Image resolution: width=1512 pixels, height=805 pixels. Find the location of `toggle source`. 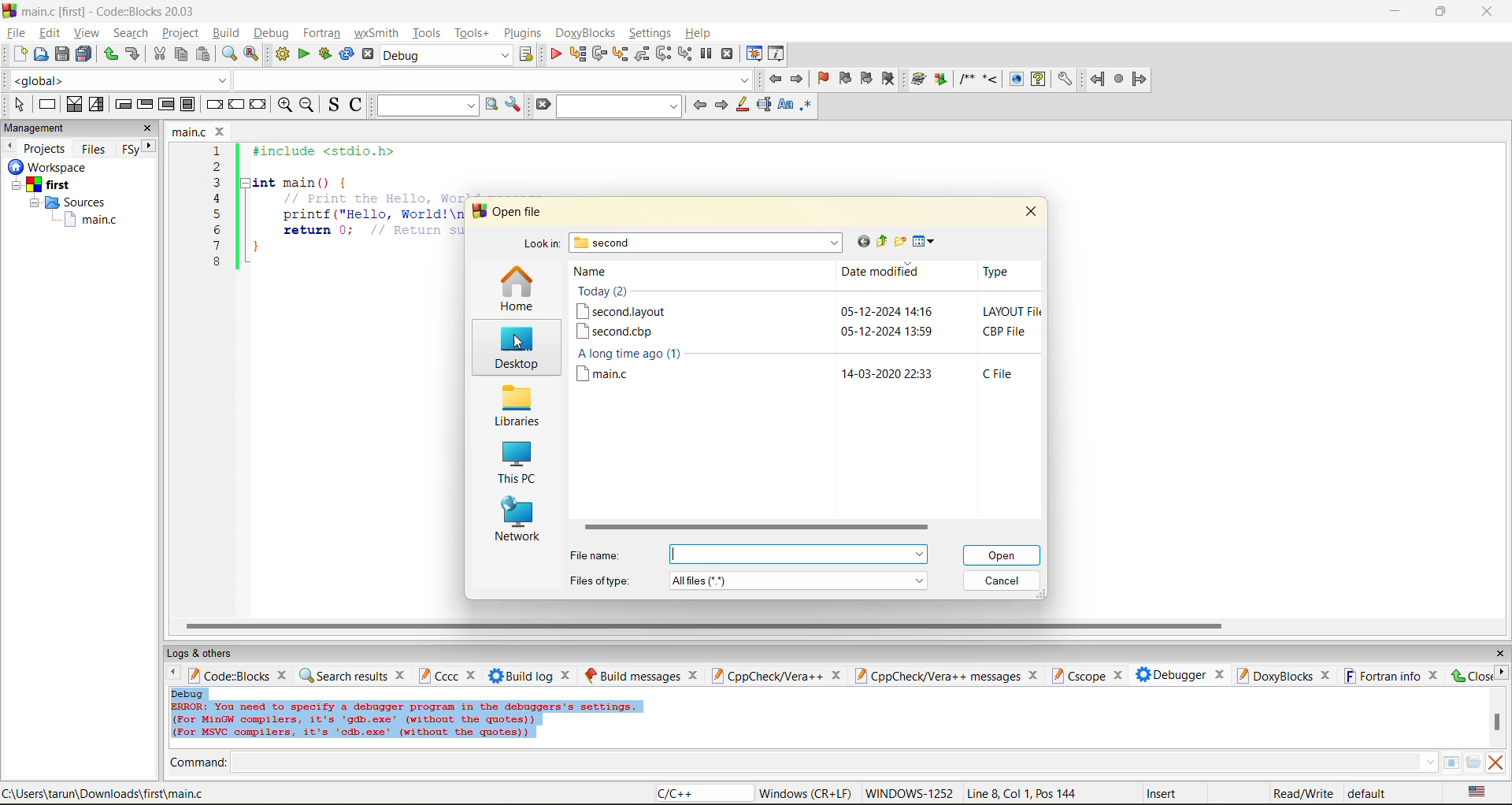

toggle source is located at coordinates (335, 104).